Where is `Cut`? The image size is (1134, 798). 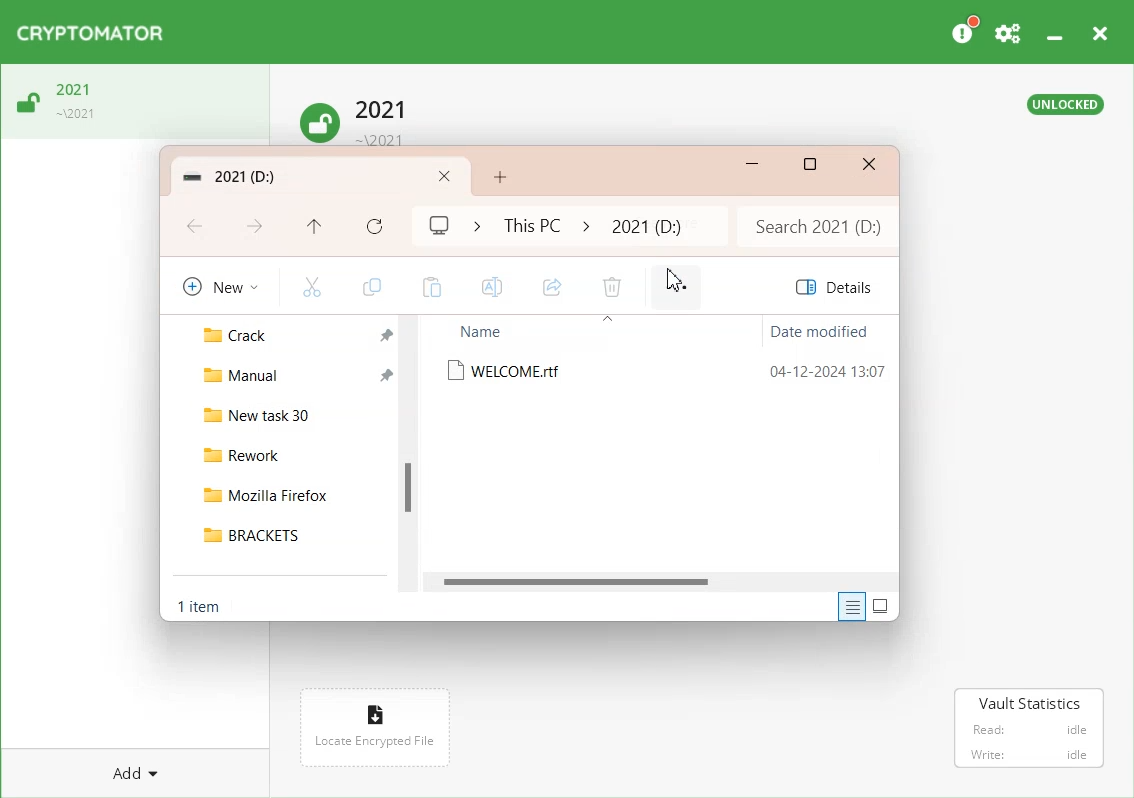
Cut is located at coordinates (314, 285).